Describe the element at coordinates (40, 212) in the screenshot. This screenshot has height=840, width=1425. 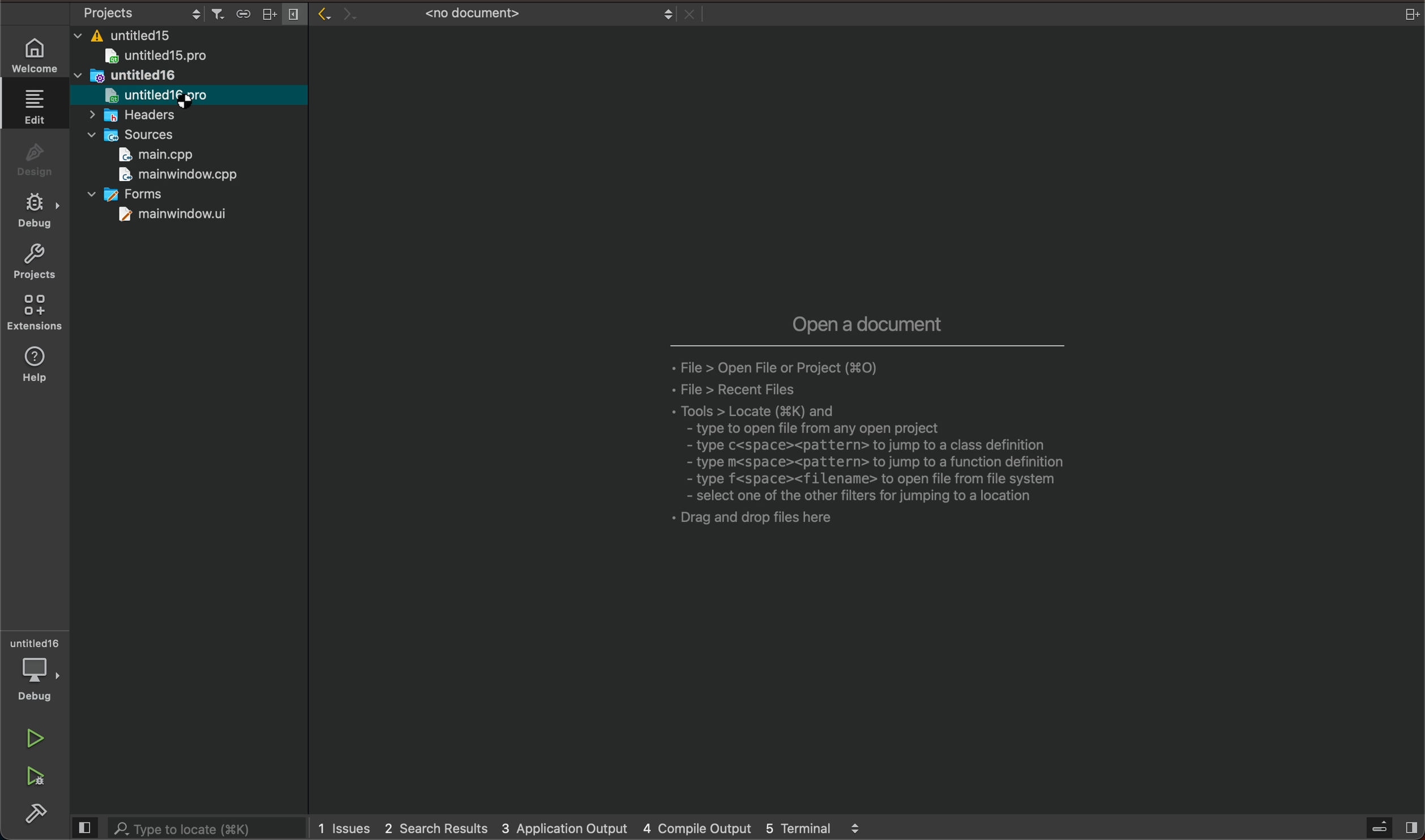
I see `debug` at that location.